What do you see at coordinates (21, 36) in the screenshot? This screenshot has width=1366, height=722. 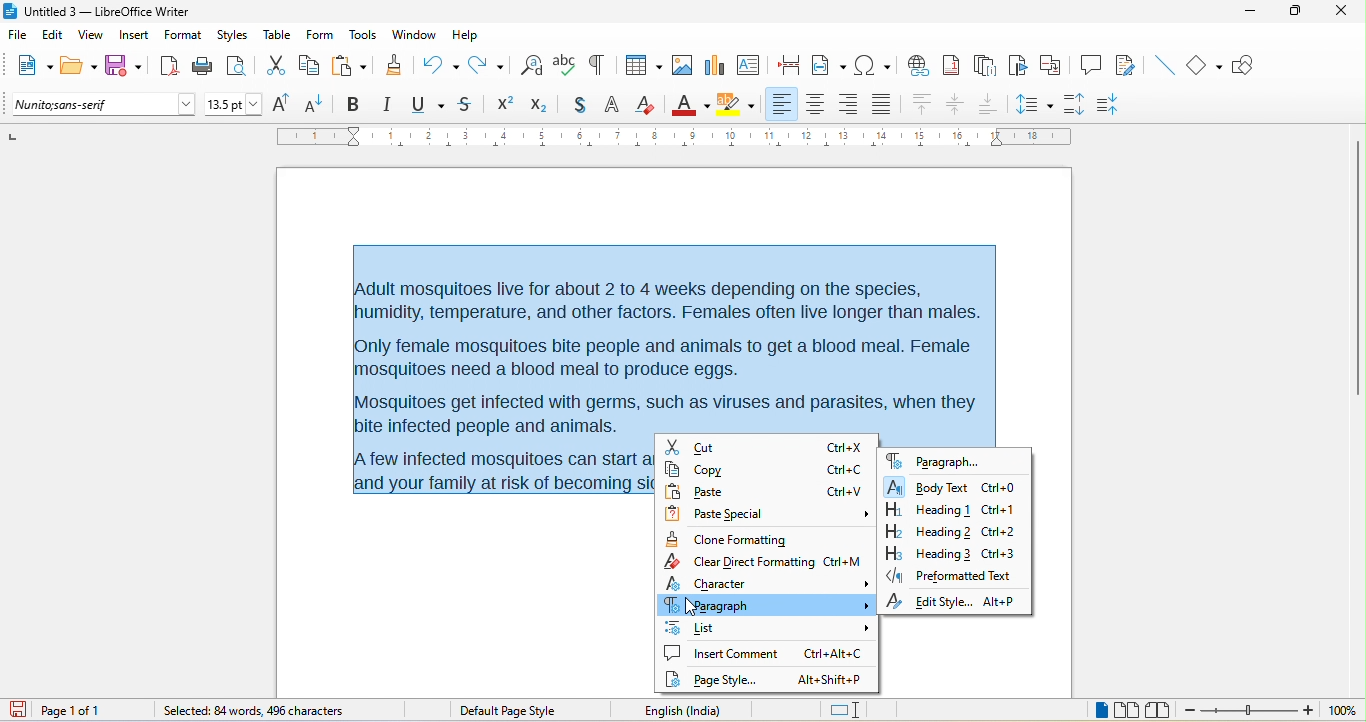 I see `file` at bounding box center [21, 36].